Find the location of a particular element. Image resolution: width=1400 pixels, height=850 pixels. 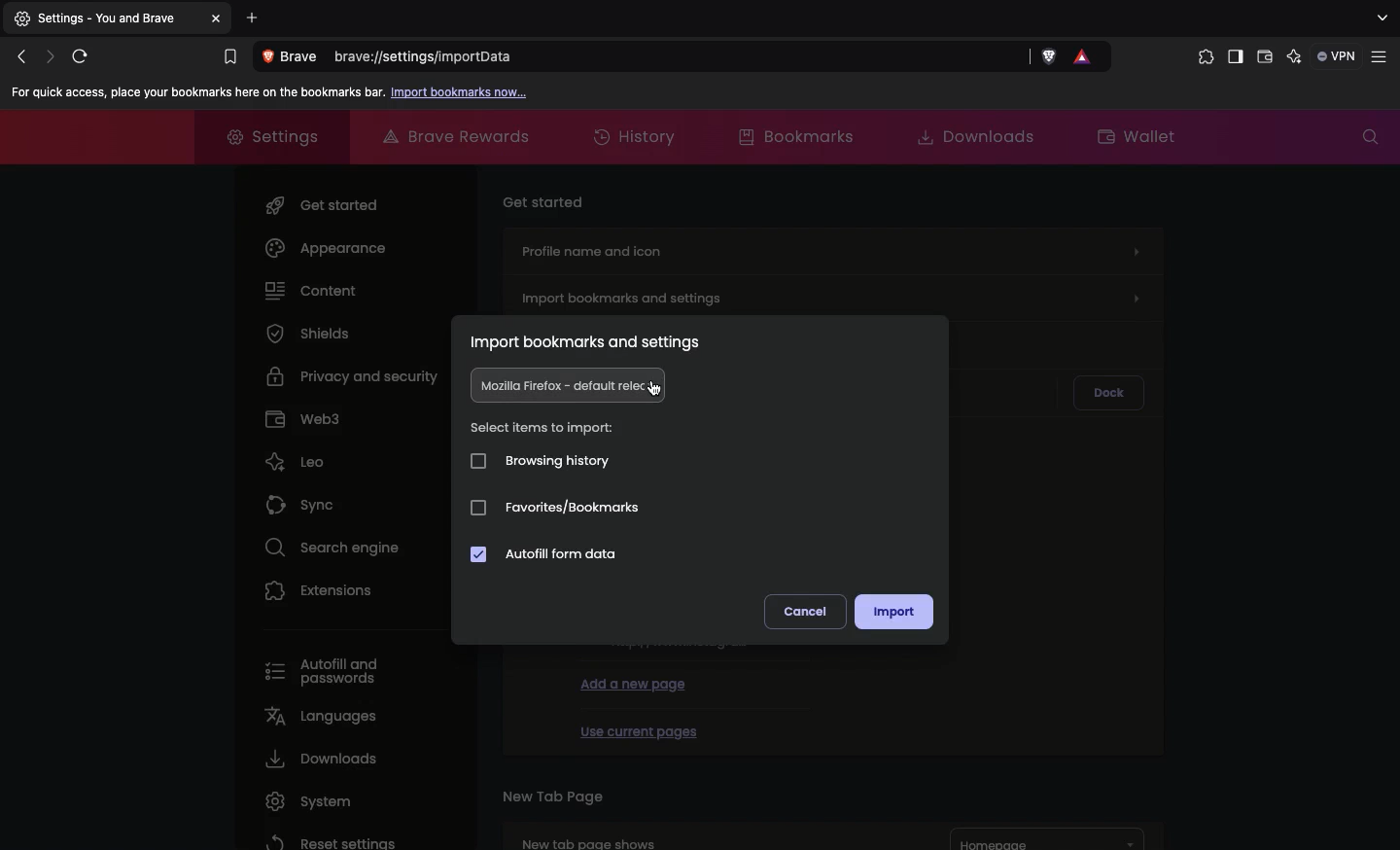

Autofill form data is located at coordinates (546, 555).